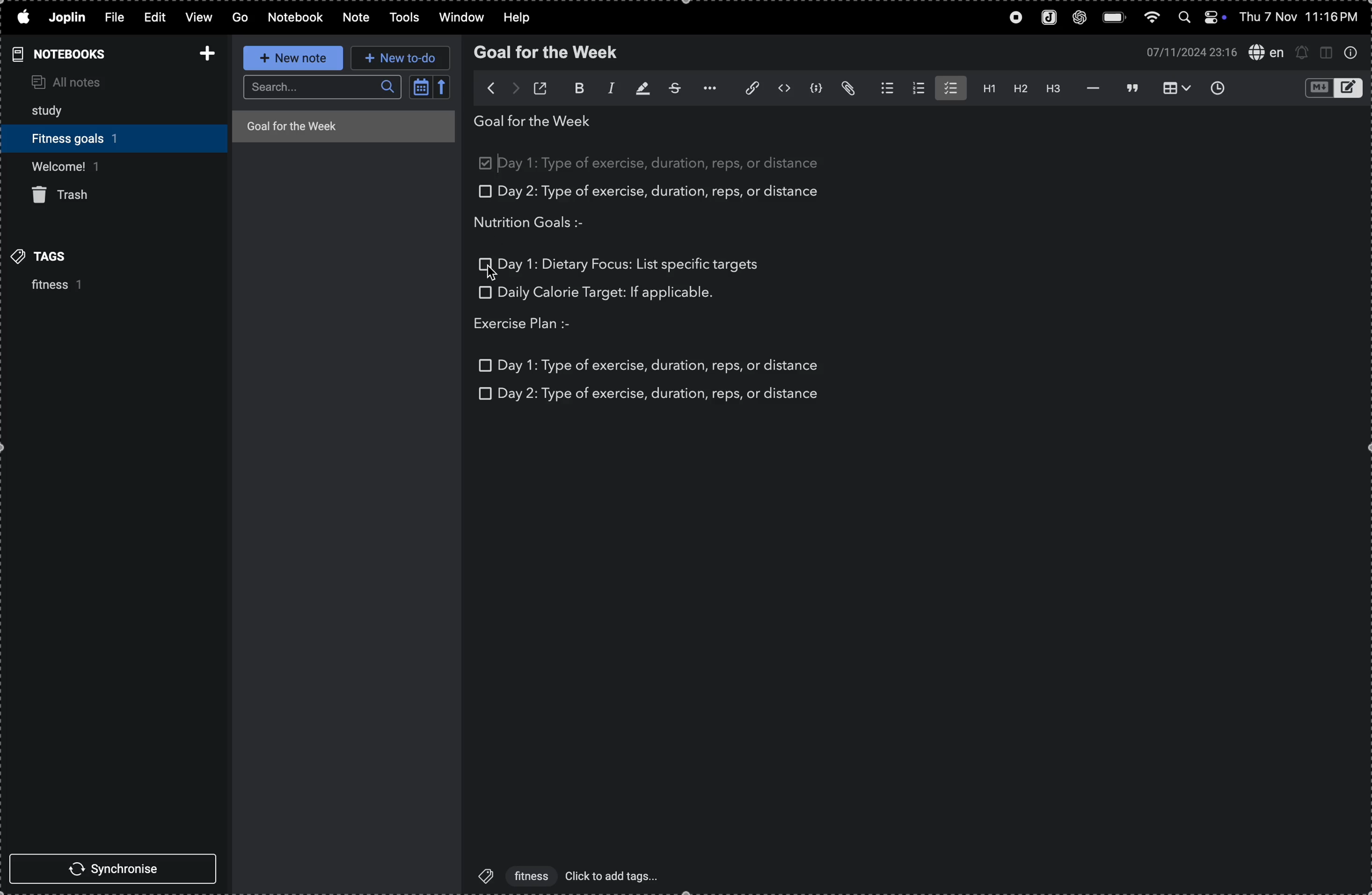  What do you see at coordinates (1152, 17) in the screenshot?
I see `wifi` at bounding box center [1152, 17].